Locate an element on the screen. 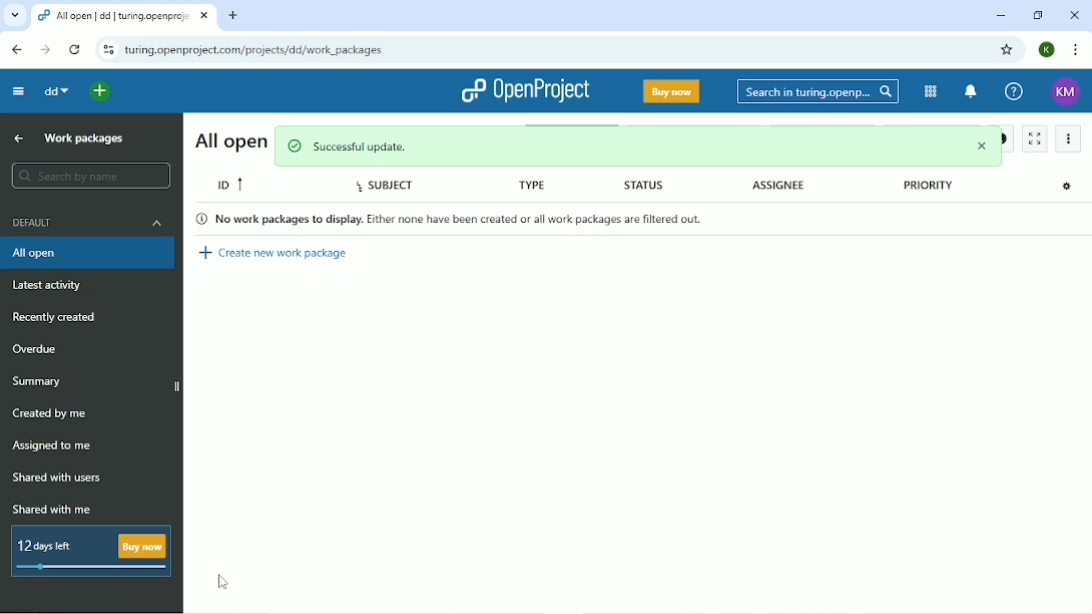 Image resolution: width=1092 pixels, height=614 pixels. New tab is located at coordinates (233, 15).